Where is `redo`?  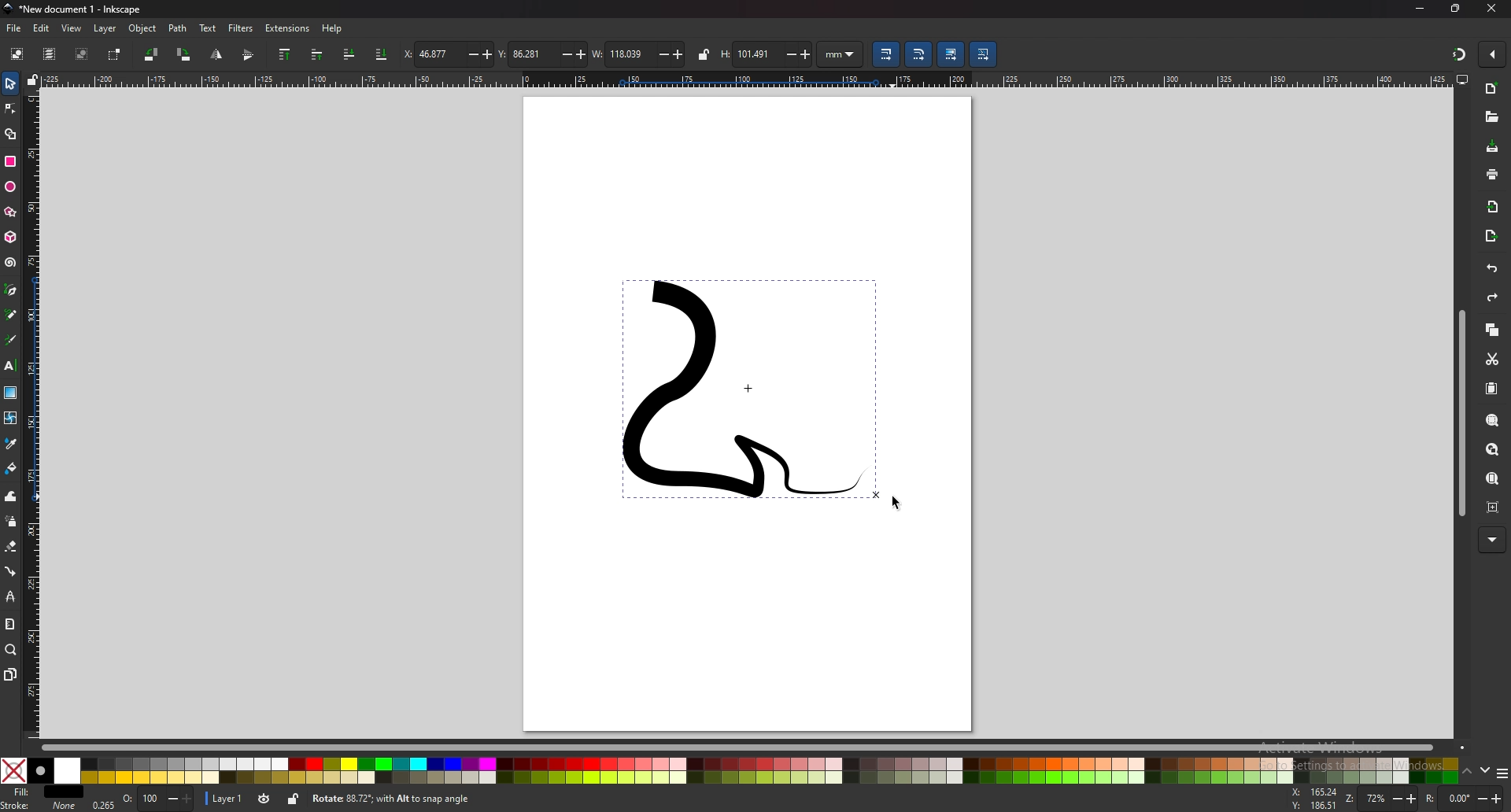
redo is located at coordinates (1494, 297).